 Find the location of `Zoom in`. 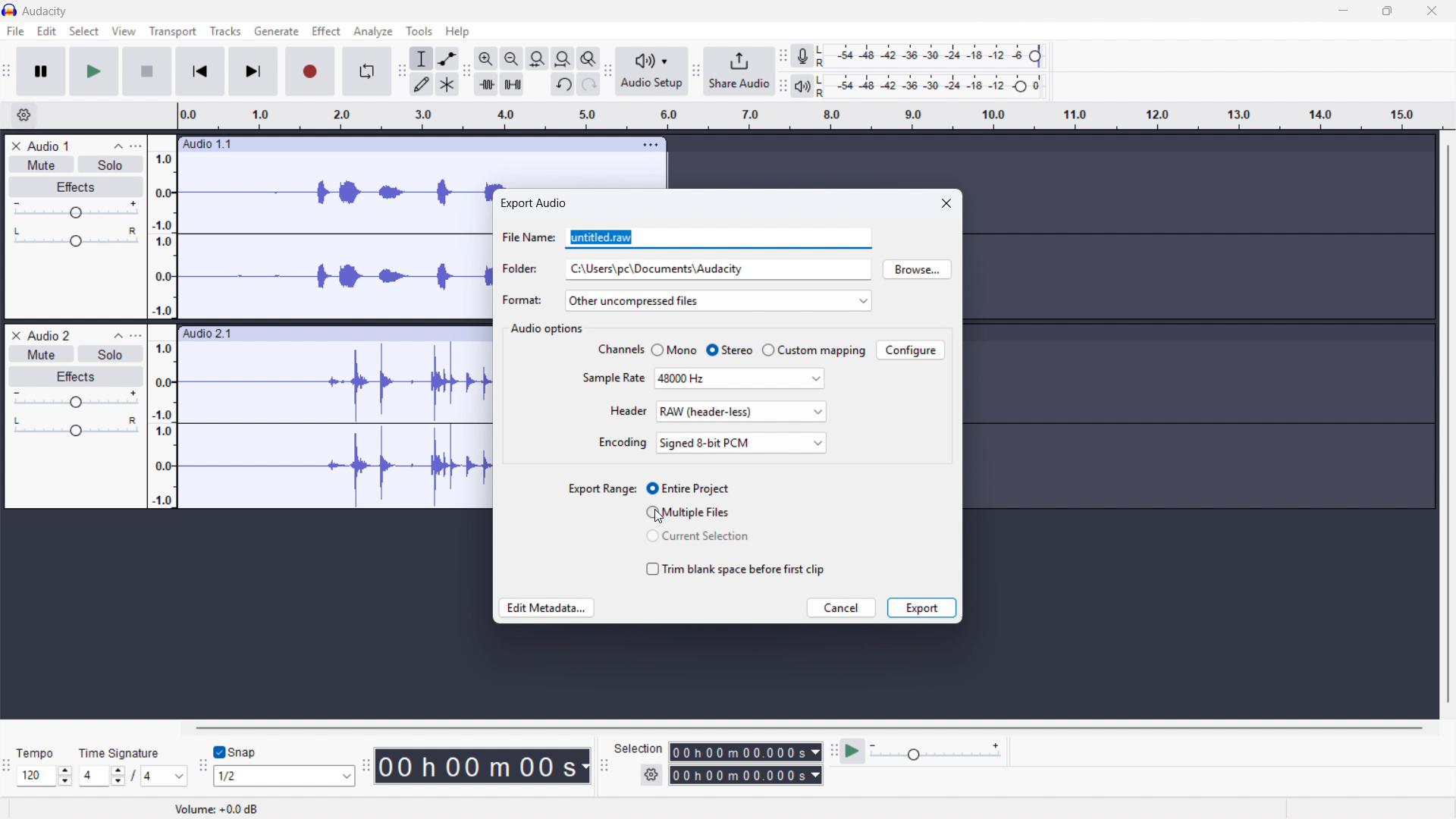

Zoom in is located at coordinates (485, 58).